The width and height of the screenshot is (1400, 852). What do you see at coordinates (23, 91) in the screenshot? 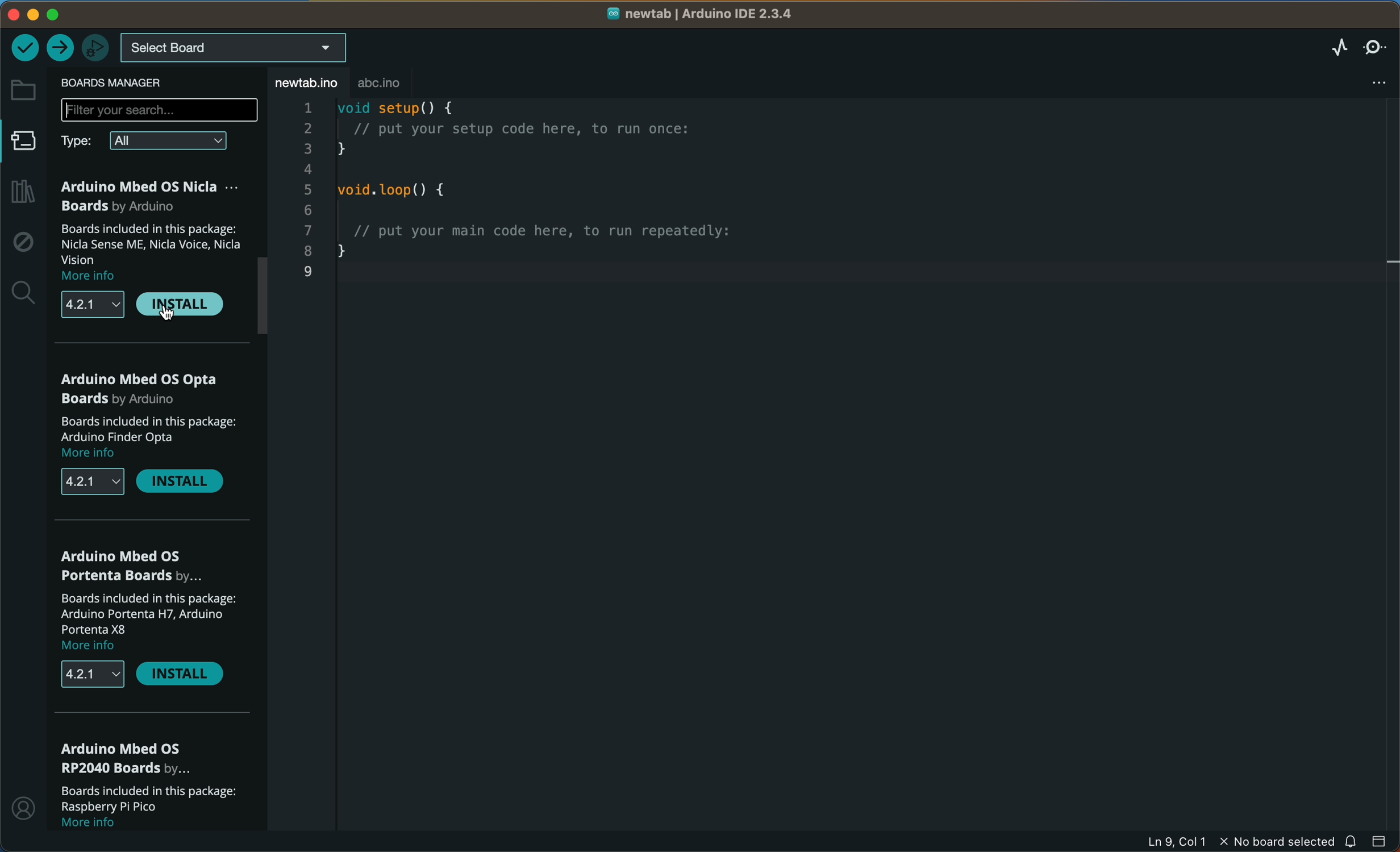
I see `folder` at bounding box center [23, 91].